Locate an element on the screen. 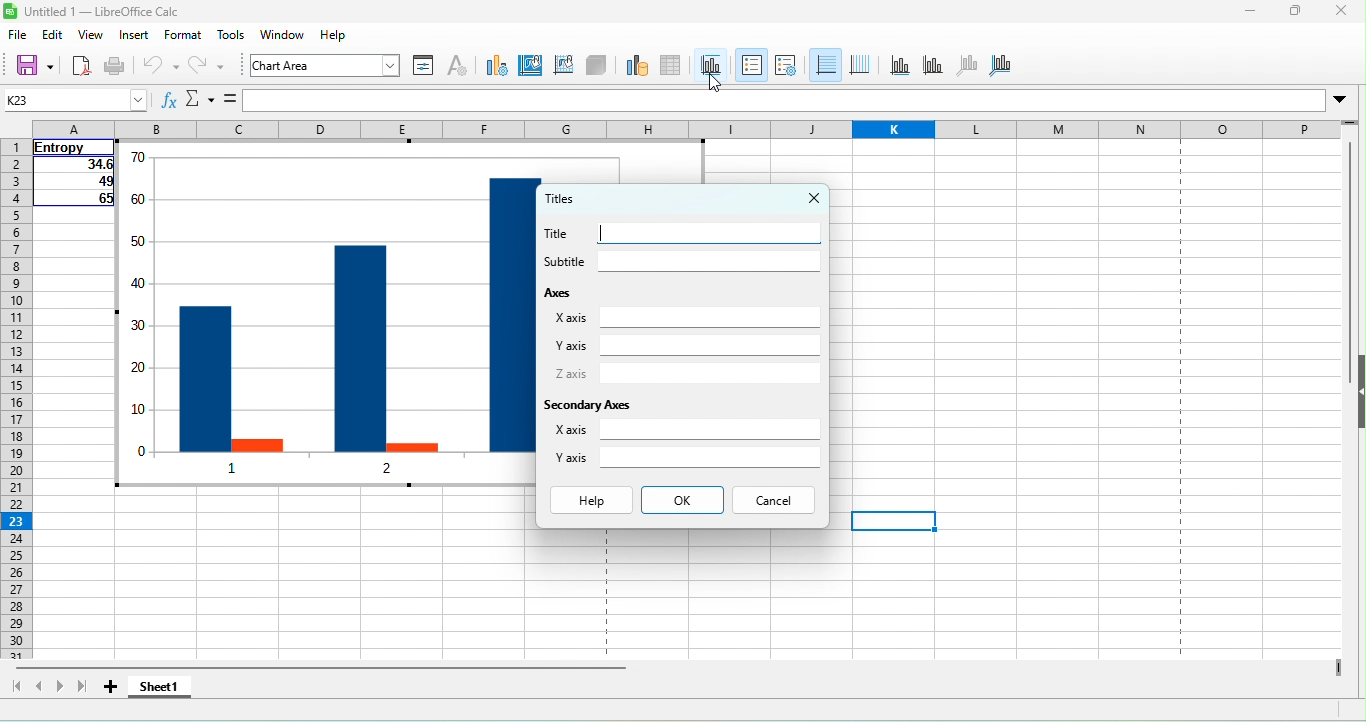  minimize is located at coordinates (1234, 14).